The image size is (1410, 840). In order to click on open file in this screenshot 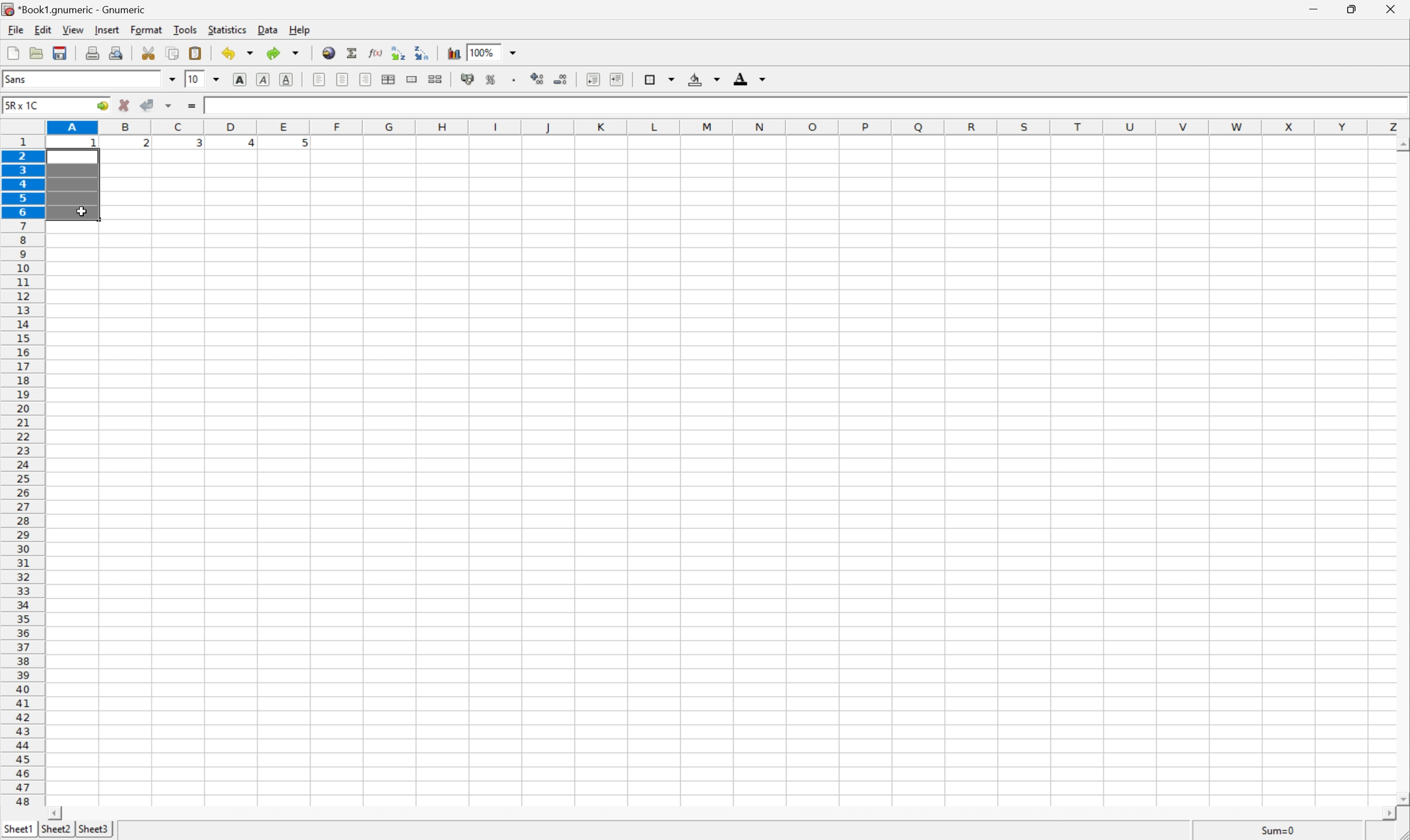, I will do `click(38, 52)`.